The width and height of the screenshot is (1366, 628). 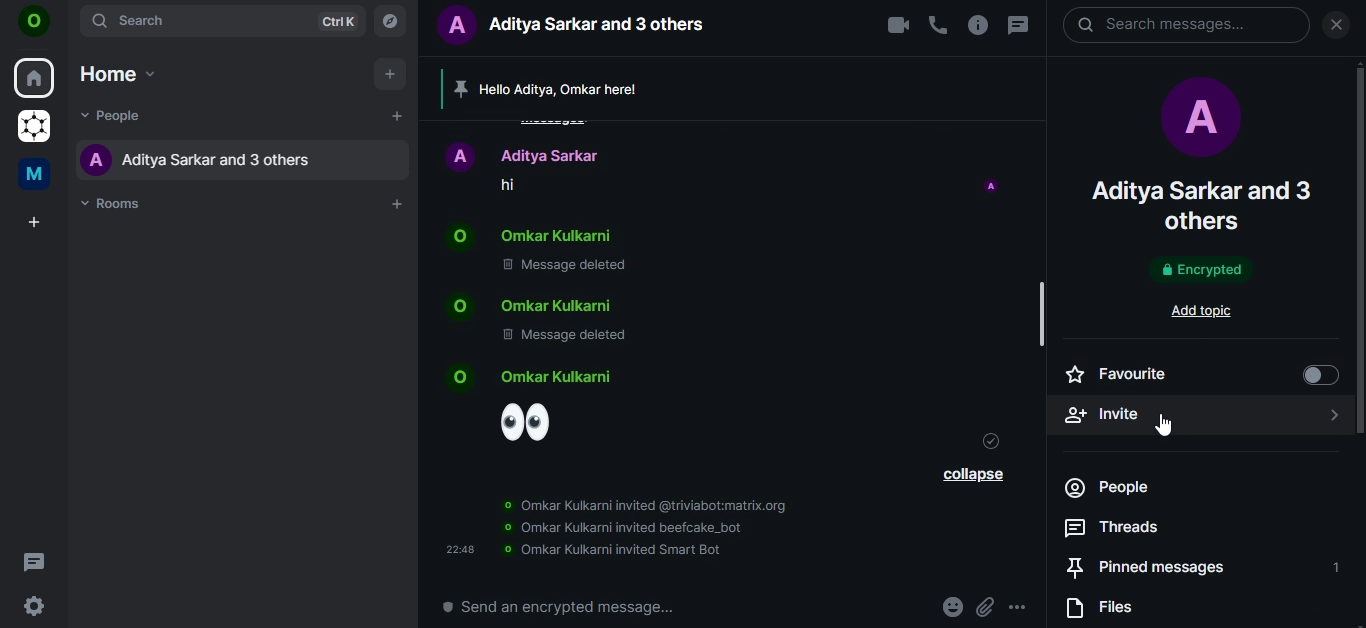 I want to click on quick settings, so click(x=34, y=608).